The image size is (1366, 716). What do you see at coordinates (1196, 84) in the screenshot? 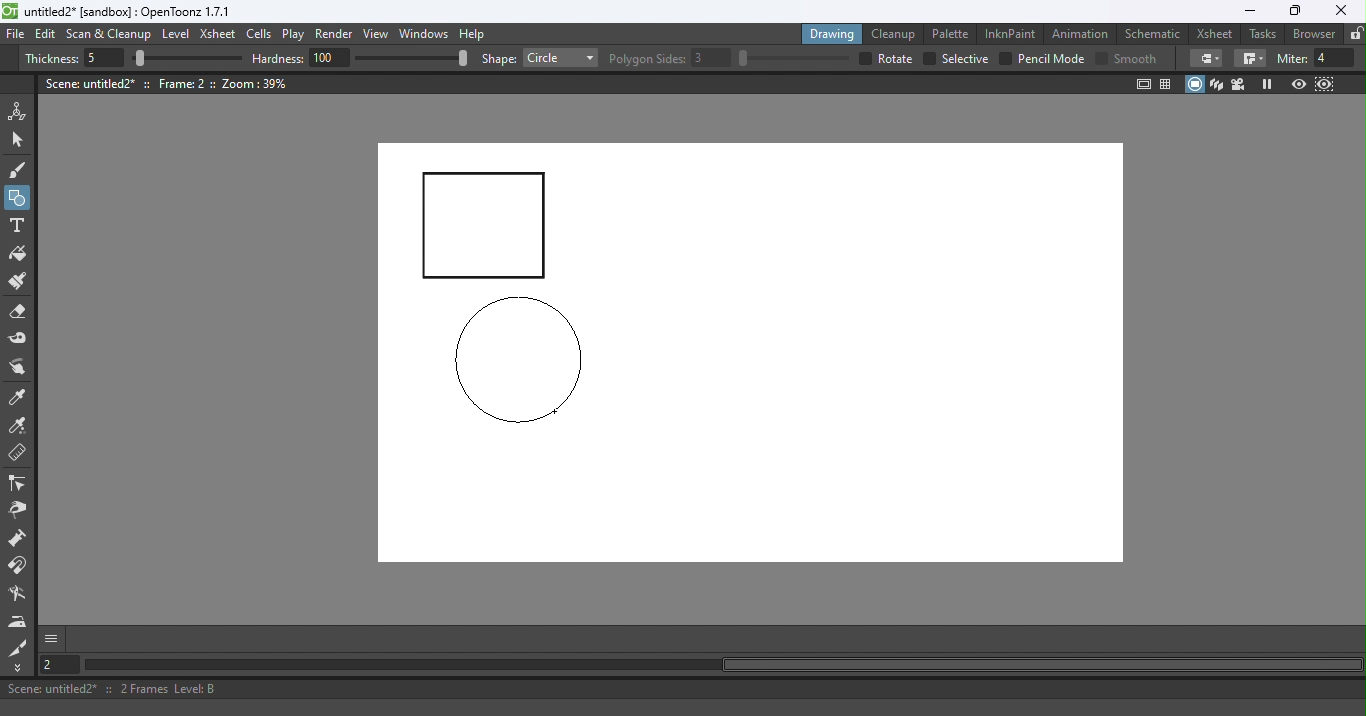
I see `Camera stand view` at bounding box center [1196, 84].